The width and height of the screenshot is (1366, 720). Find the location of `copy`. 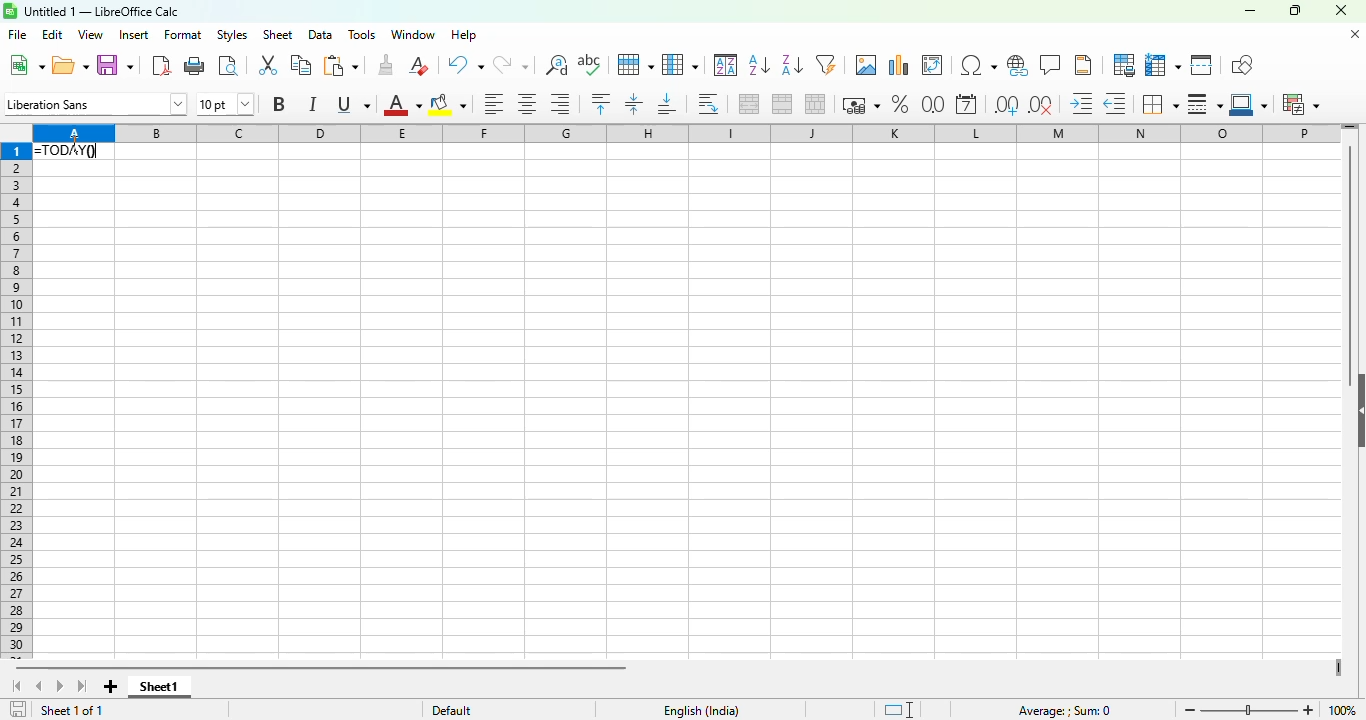

copy is located at coordinates (301, 65).